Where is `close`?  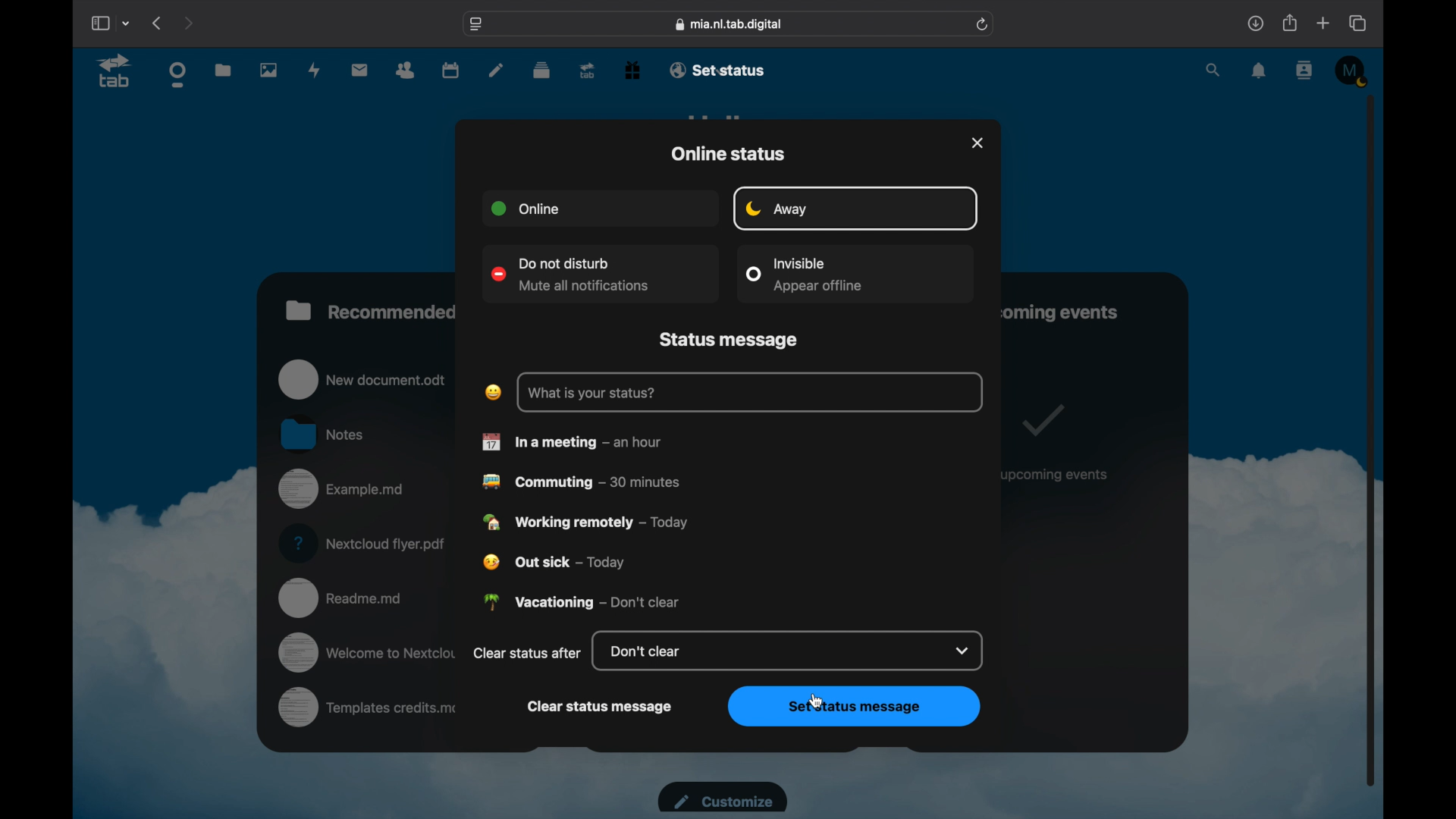
close is located at coordinates (978, 143).